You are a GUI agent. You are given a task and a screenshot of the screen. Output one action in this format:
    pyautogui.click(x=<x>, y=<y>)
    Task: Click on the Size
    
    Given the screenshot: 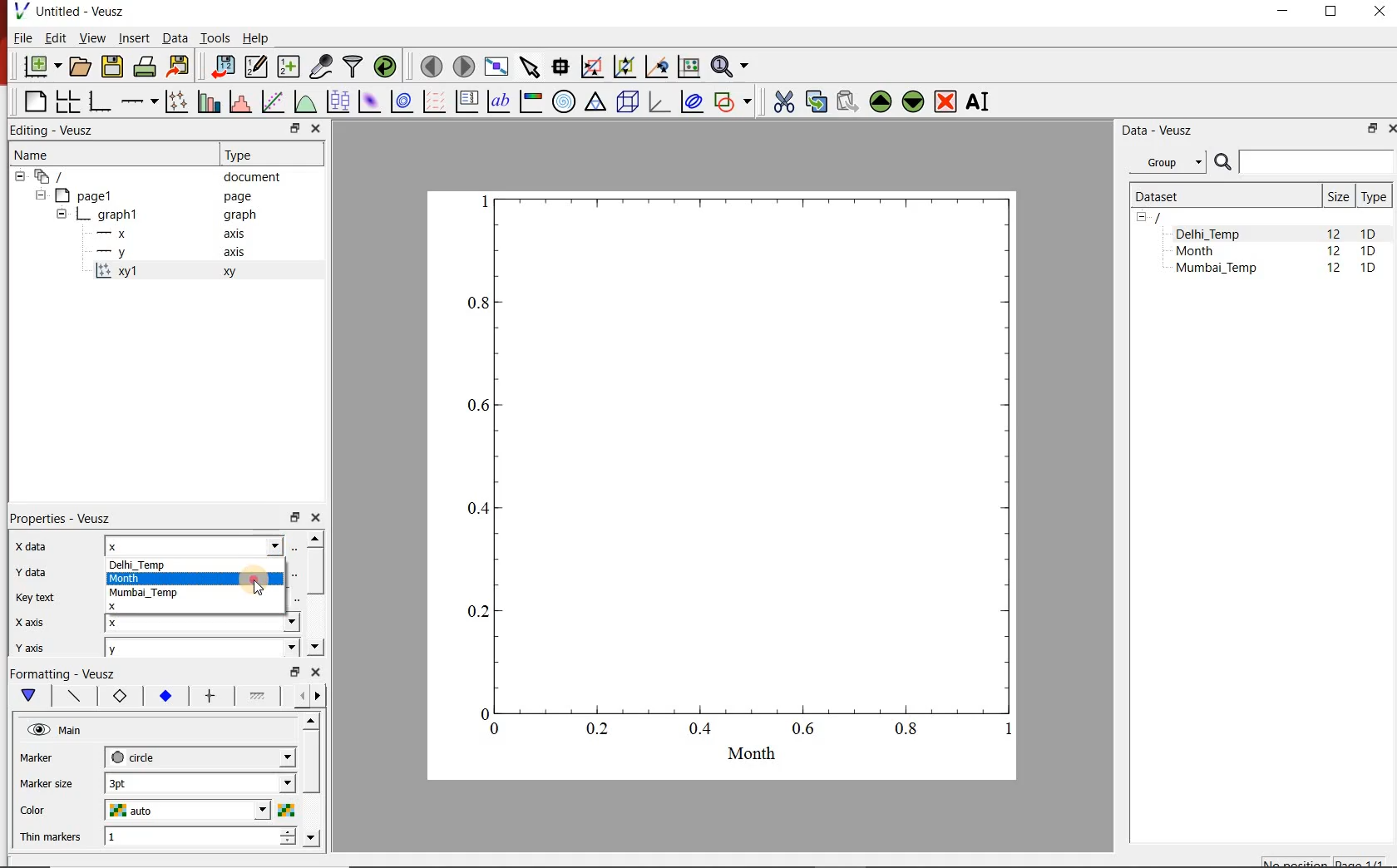 What is the action you would take?
    pyautogui.click(x=1338, y=196)
    